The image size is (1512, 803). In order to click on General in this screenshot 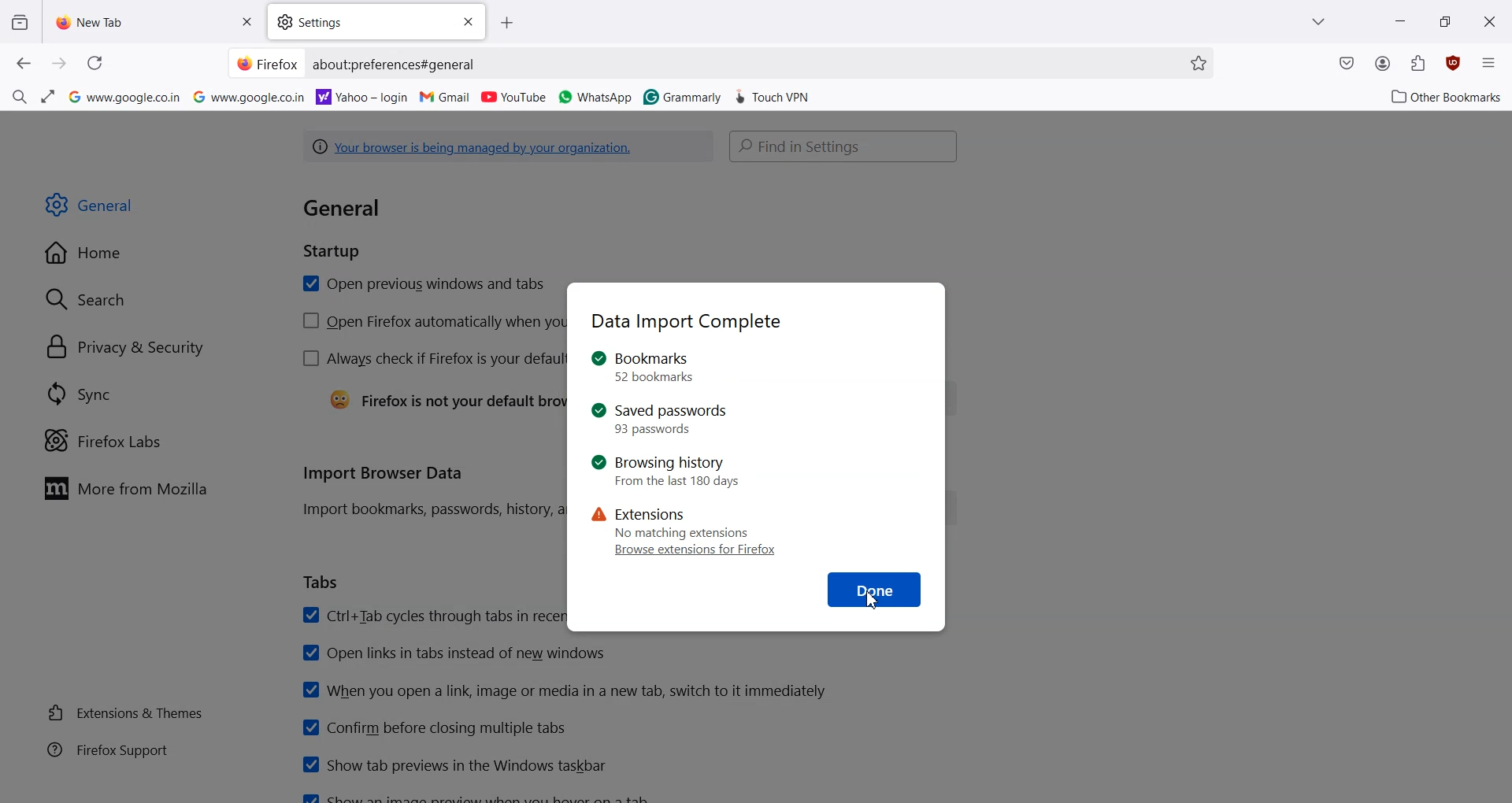, I will do `click(92, 205)`.